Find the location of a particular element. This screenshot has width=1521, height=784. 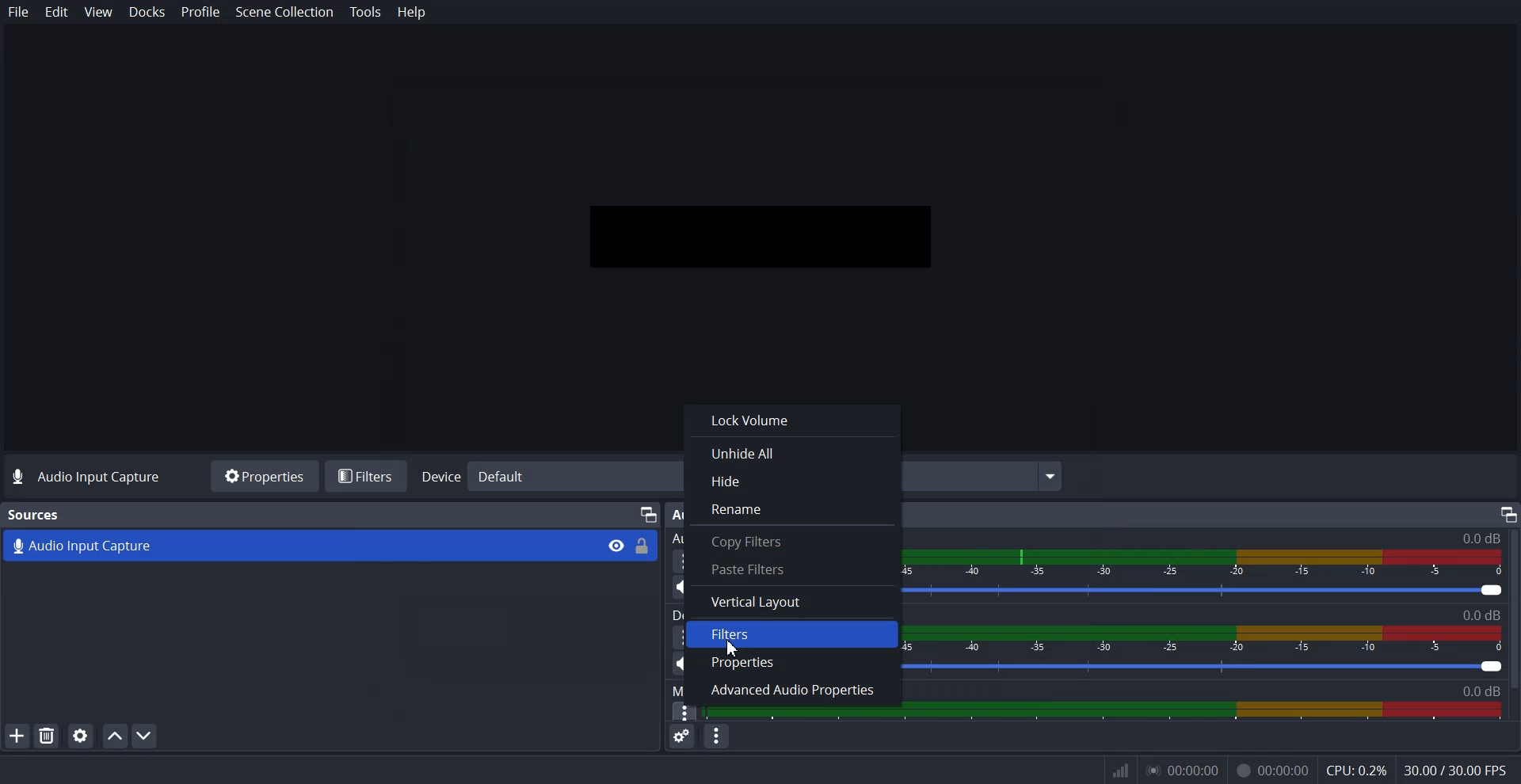

Advance Audio Properties is located at coordinates (802, 689).